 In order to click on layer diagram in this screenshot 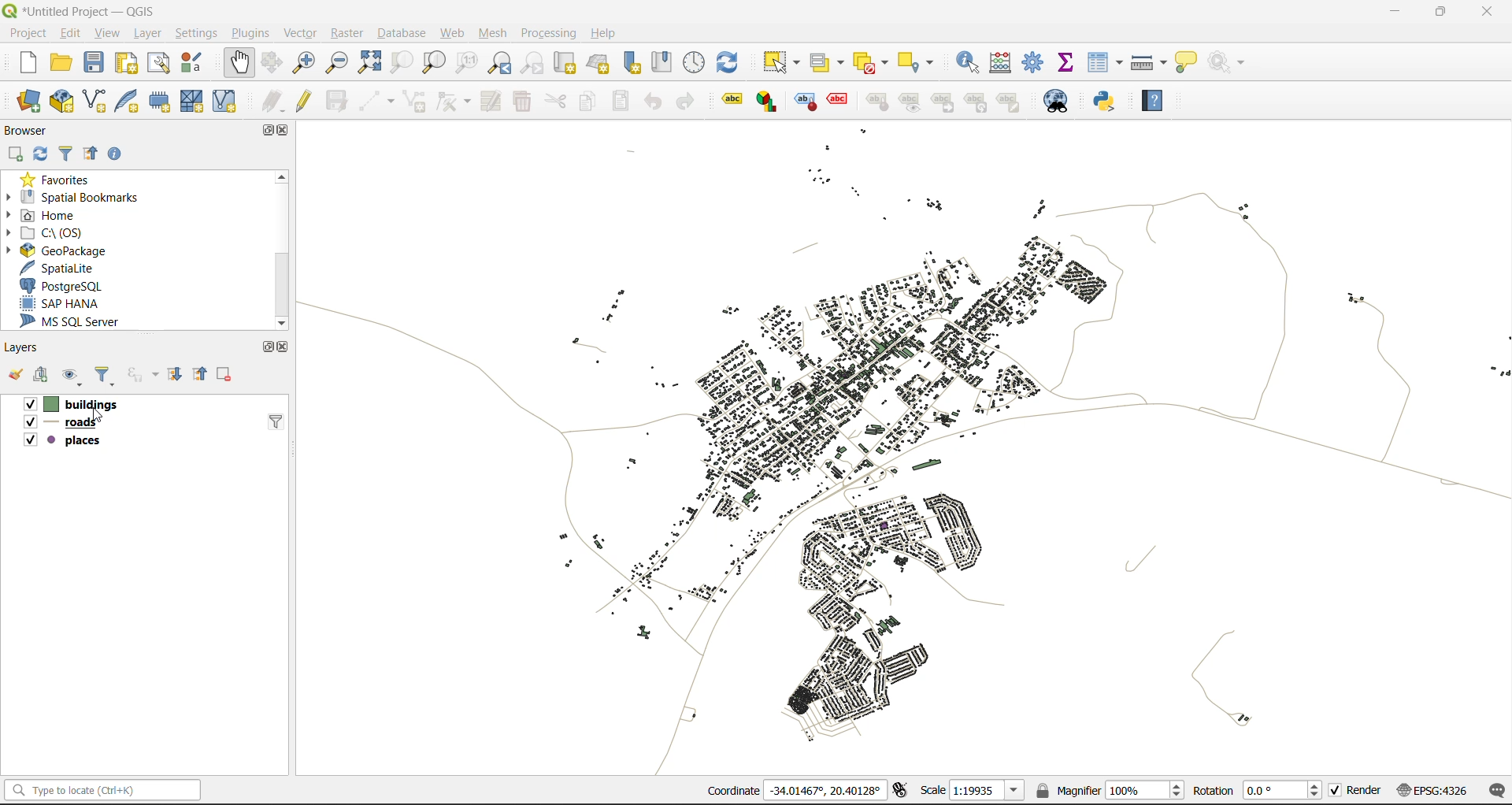, I will do `click(770, 102)`.